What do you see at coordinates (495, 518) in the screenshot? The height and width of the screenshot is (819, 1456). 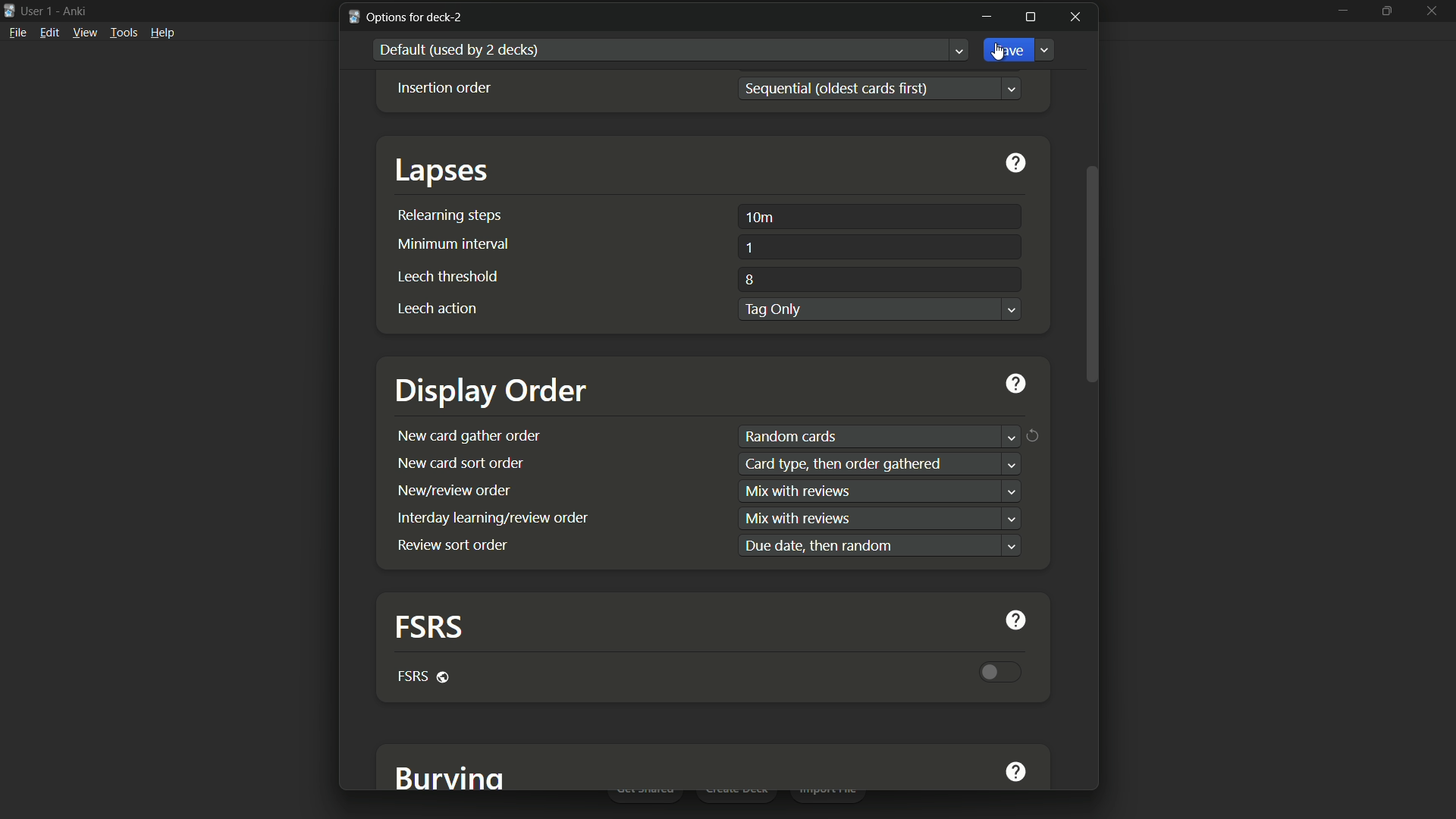 I see `interday learning/review order` at bounding box center [495, 518].